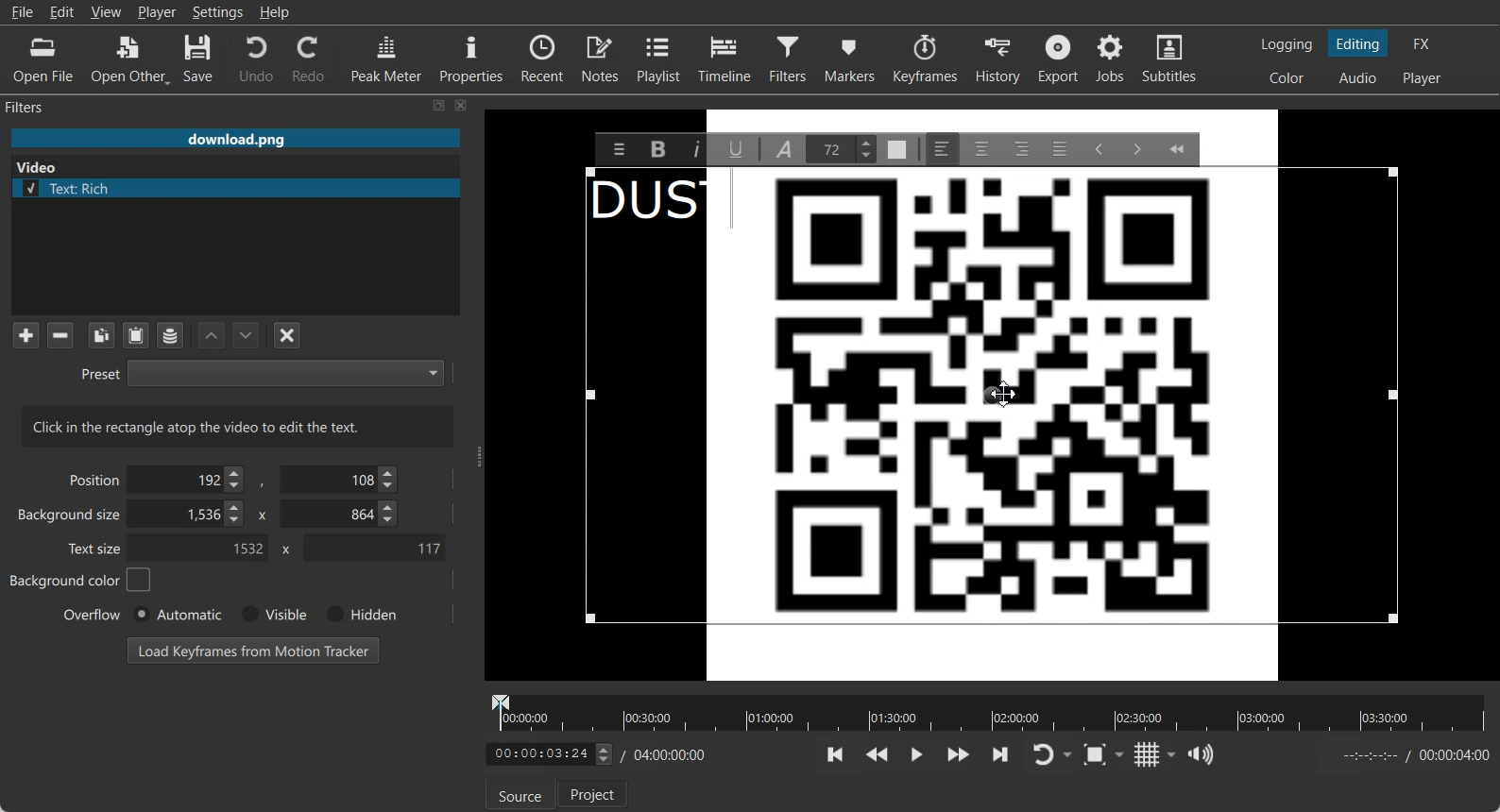 This screenshot has height=812, width=1500. What do you see at coordinates (840, 149) in the screenshot?
I see `Text Size` at bounding box center [840, 149].